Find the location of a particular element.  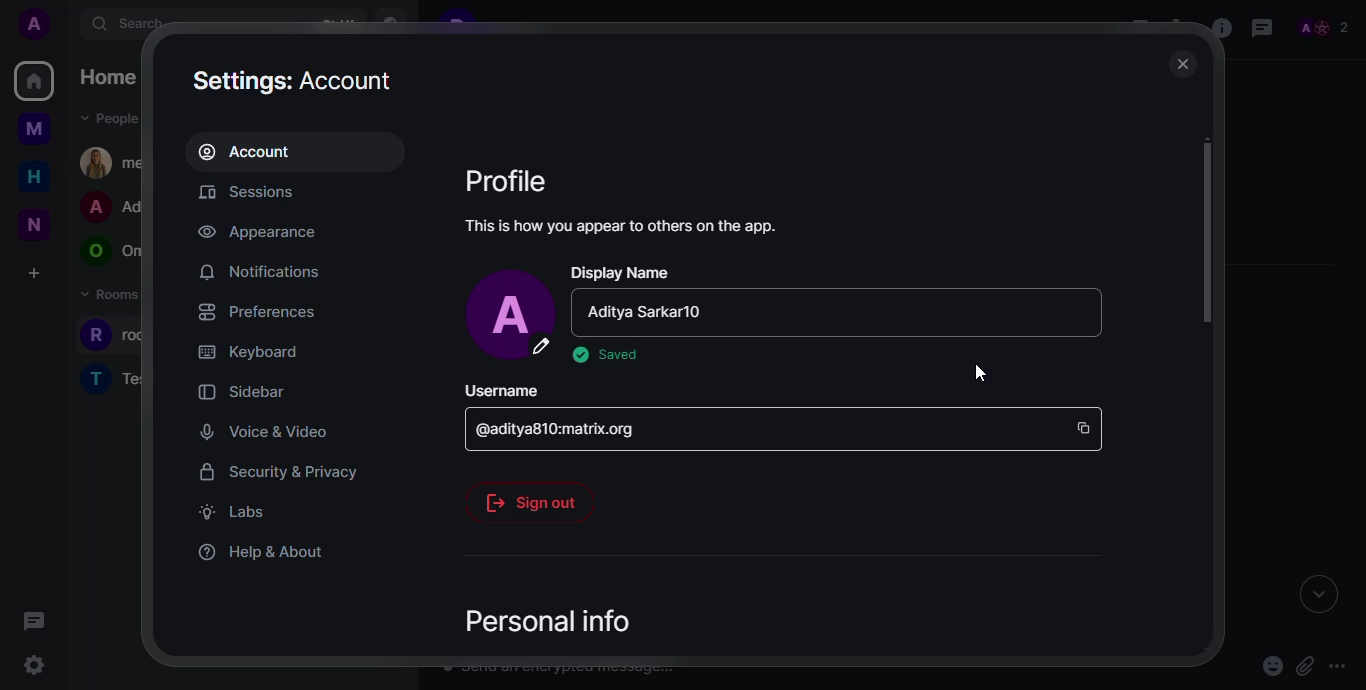

account is located at coordinates (253, 151).